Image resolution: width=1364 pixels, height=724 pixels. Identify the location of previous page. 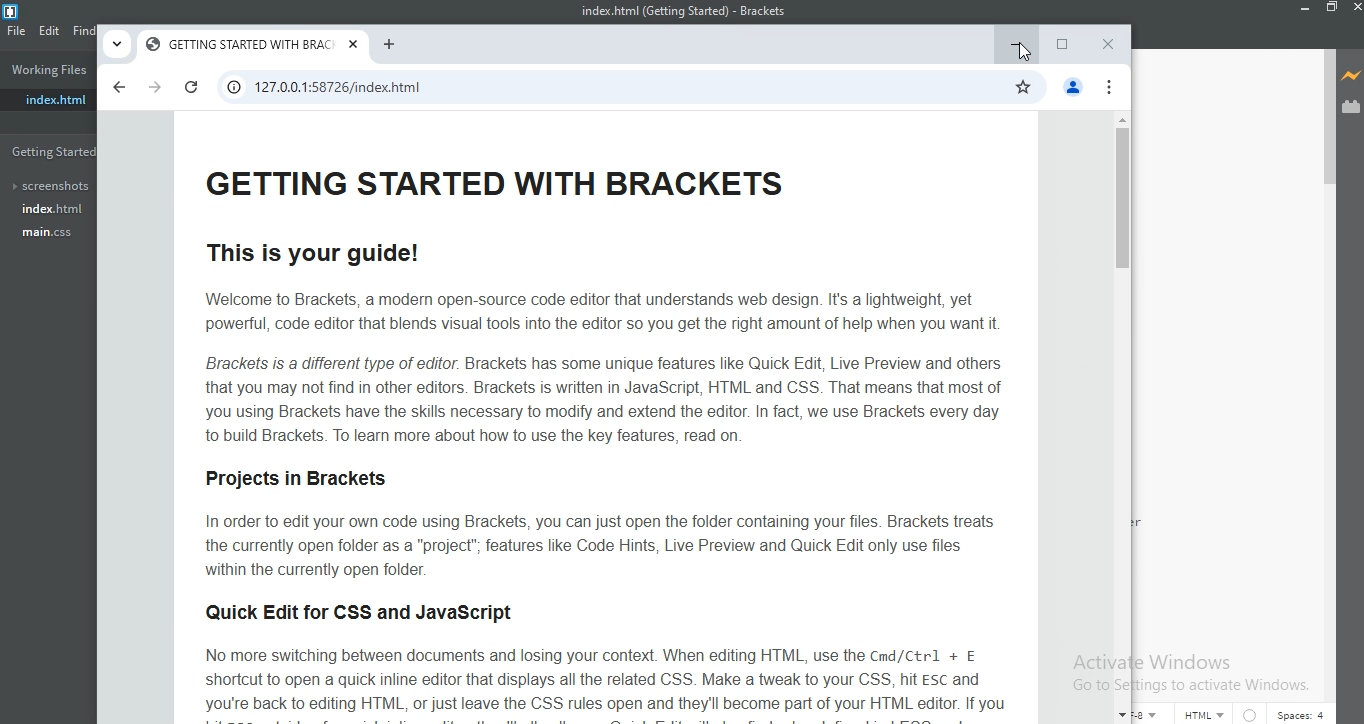
(119, 85).